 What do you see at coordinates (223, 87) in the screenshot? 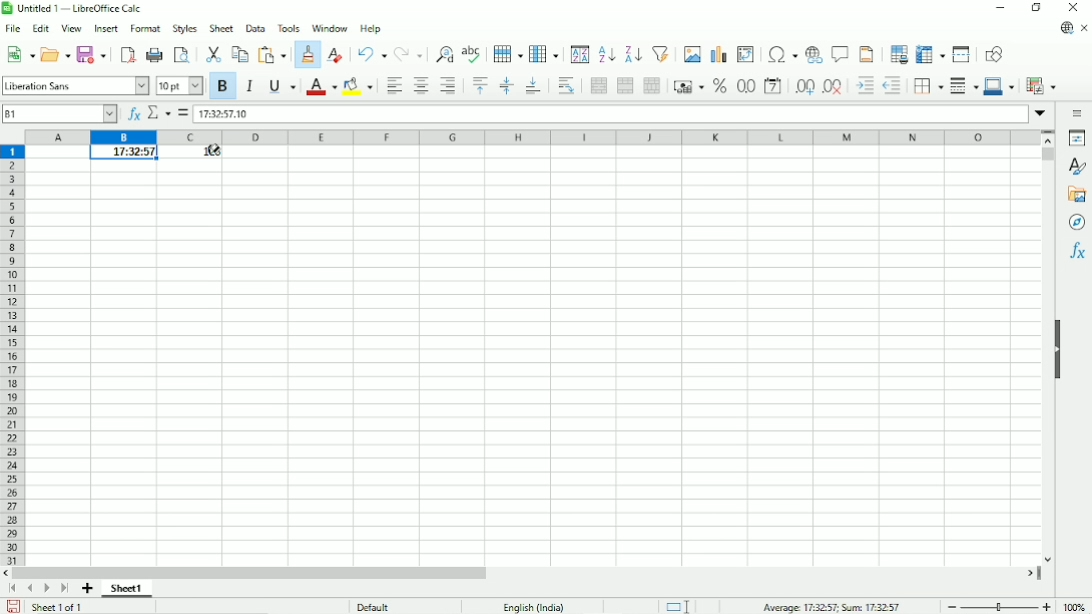
I see `Bold` at bounding box center [223, 87].